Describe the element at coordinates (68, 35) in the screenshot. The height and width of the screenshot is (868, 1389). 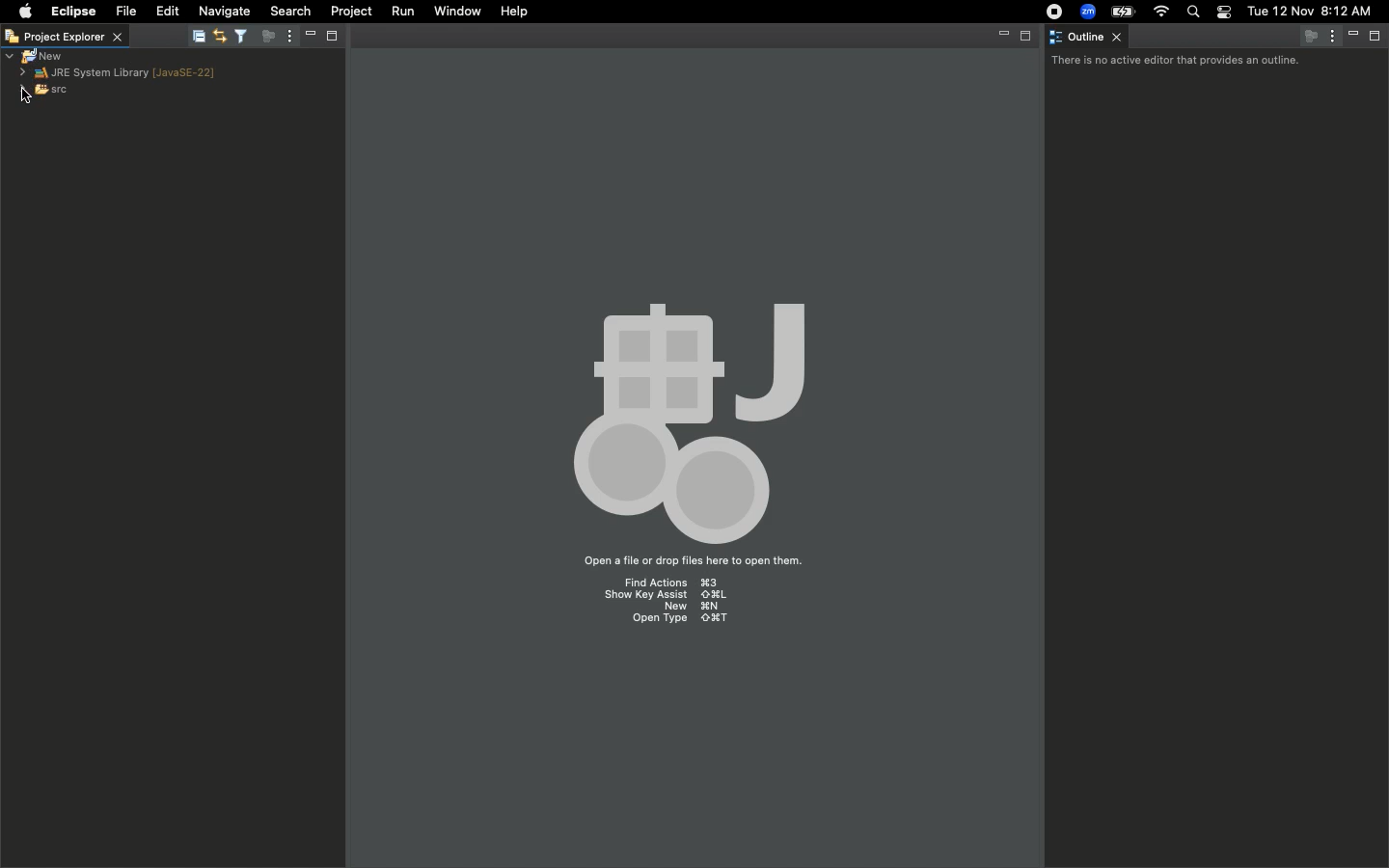
I see `Project explorer` at that location.